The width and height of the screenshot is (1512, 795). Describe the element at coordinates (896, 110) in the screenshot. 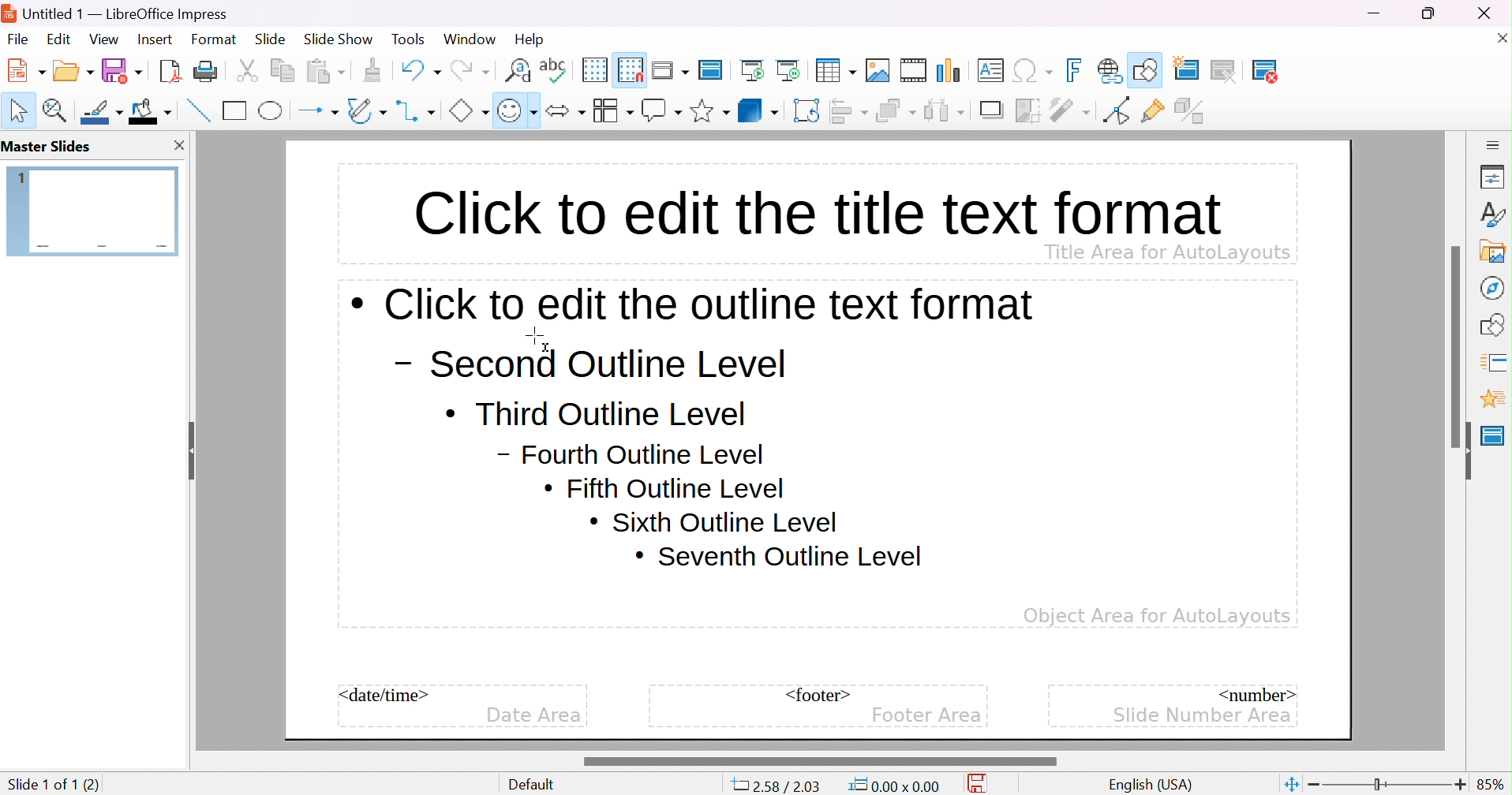

I see `arrange` at that location.